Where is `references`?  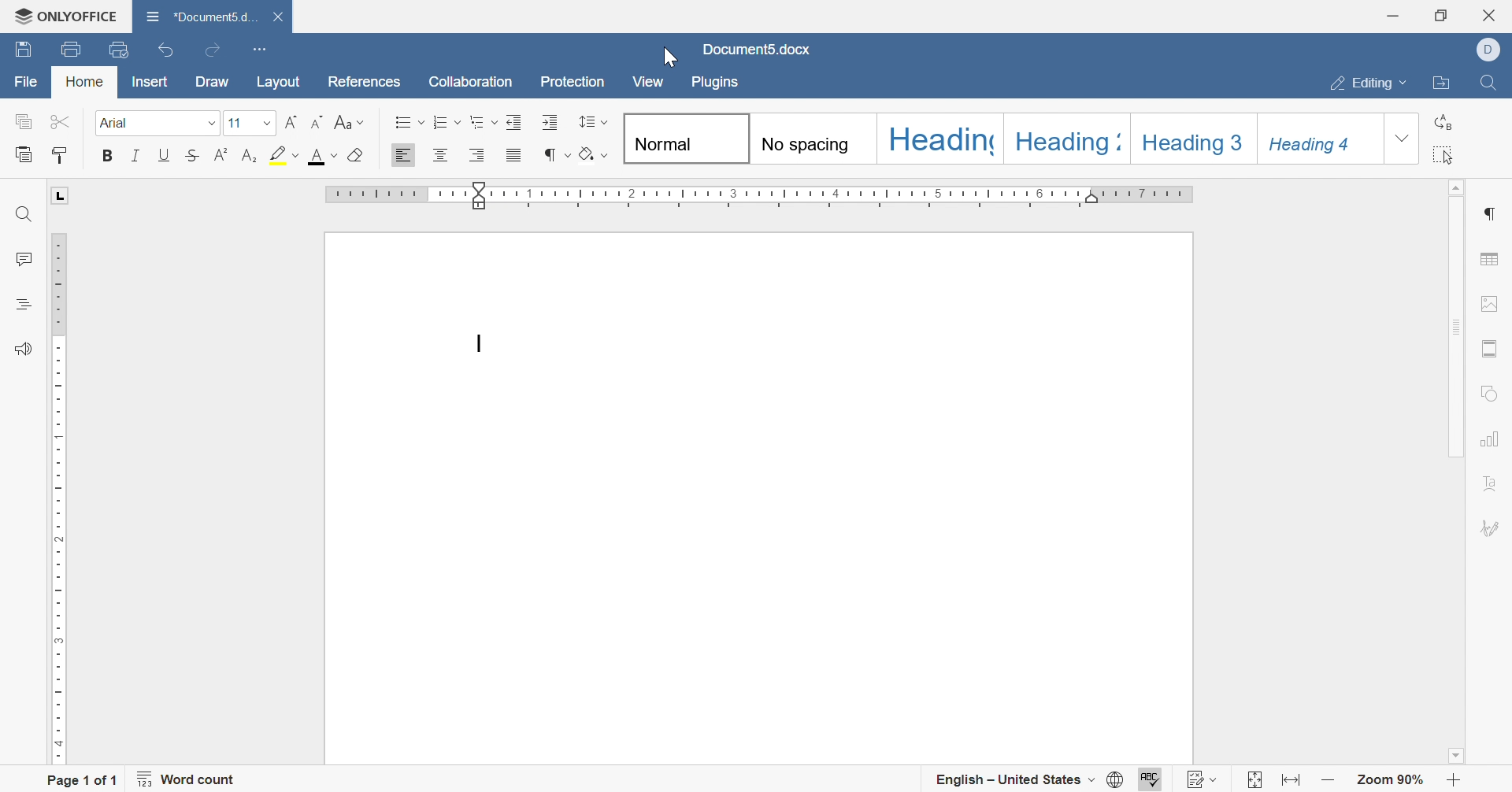
references is located at coordinates (365, 81).